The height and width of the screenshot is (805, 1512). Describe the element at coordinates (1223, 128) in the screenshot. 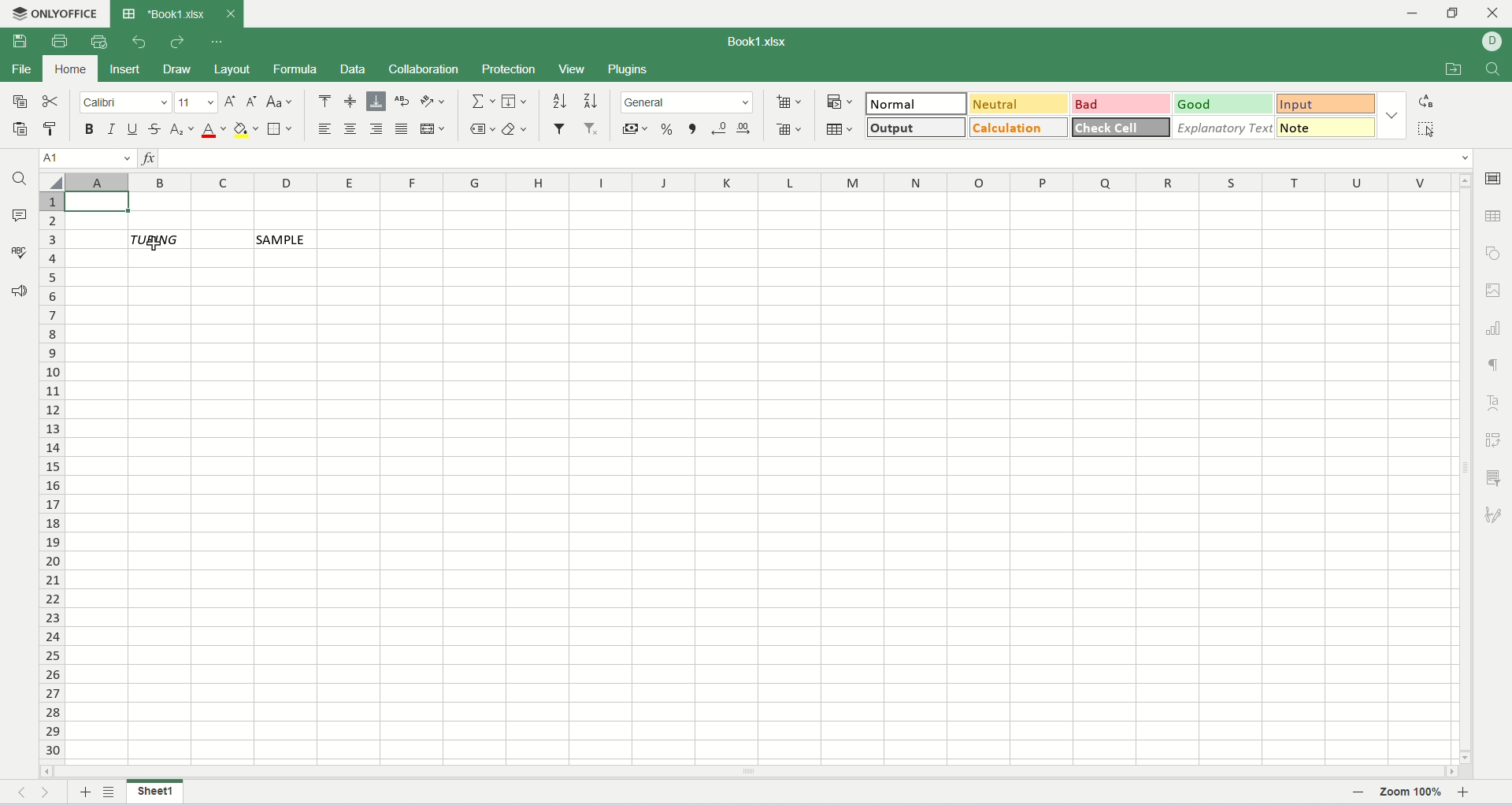

I see `explanatory text` at that location.